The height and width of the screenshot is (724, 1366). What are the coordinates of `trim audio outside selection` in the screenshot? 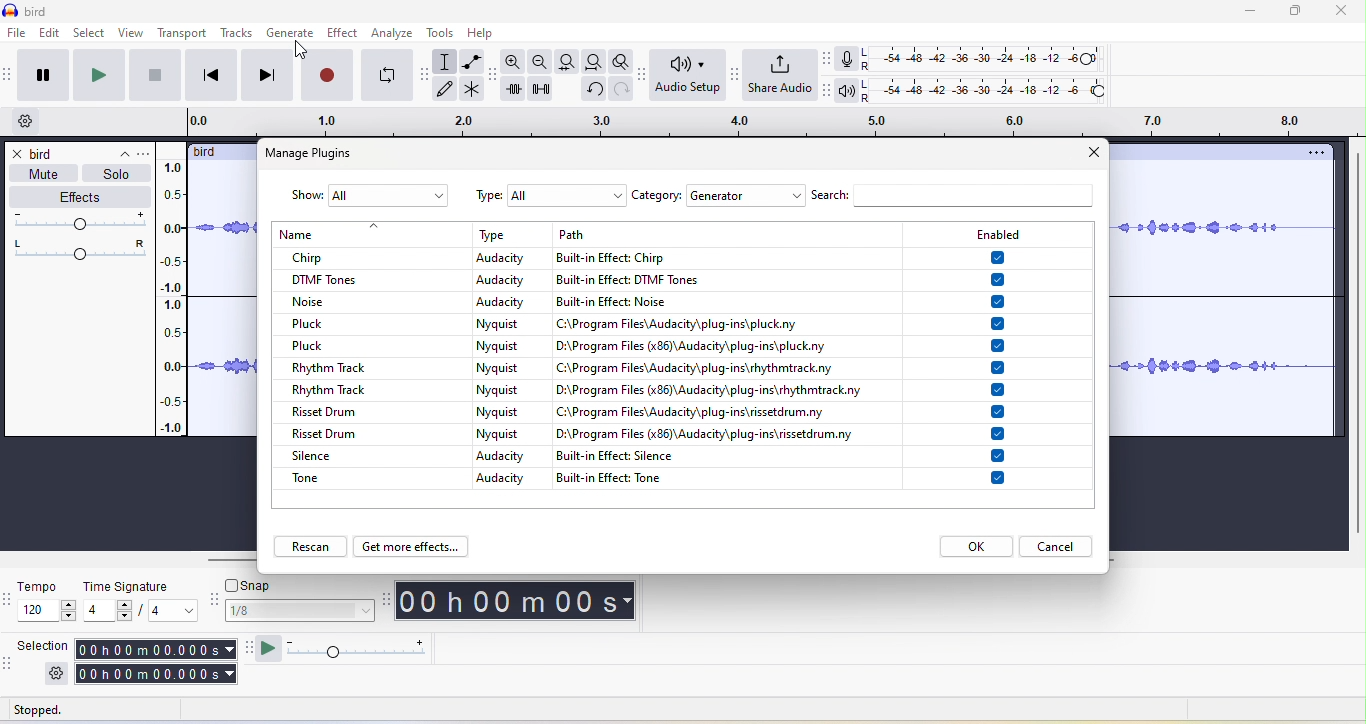 It's located at (518, 93).